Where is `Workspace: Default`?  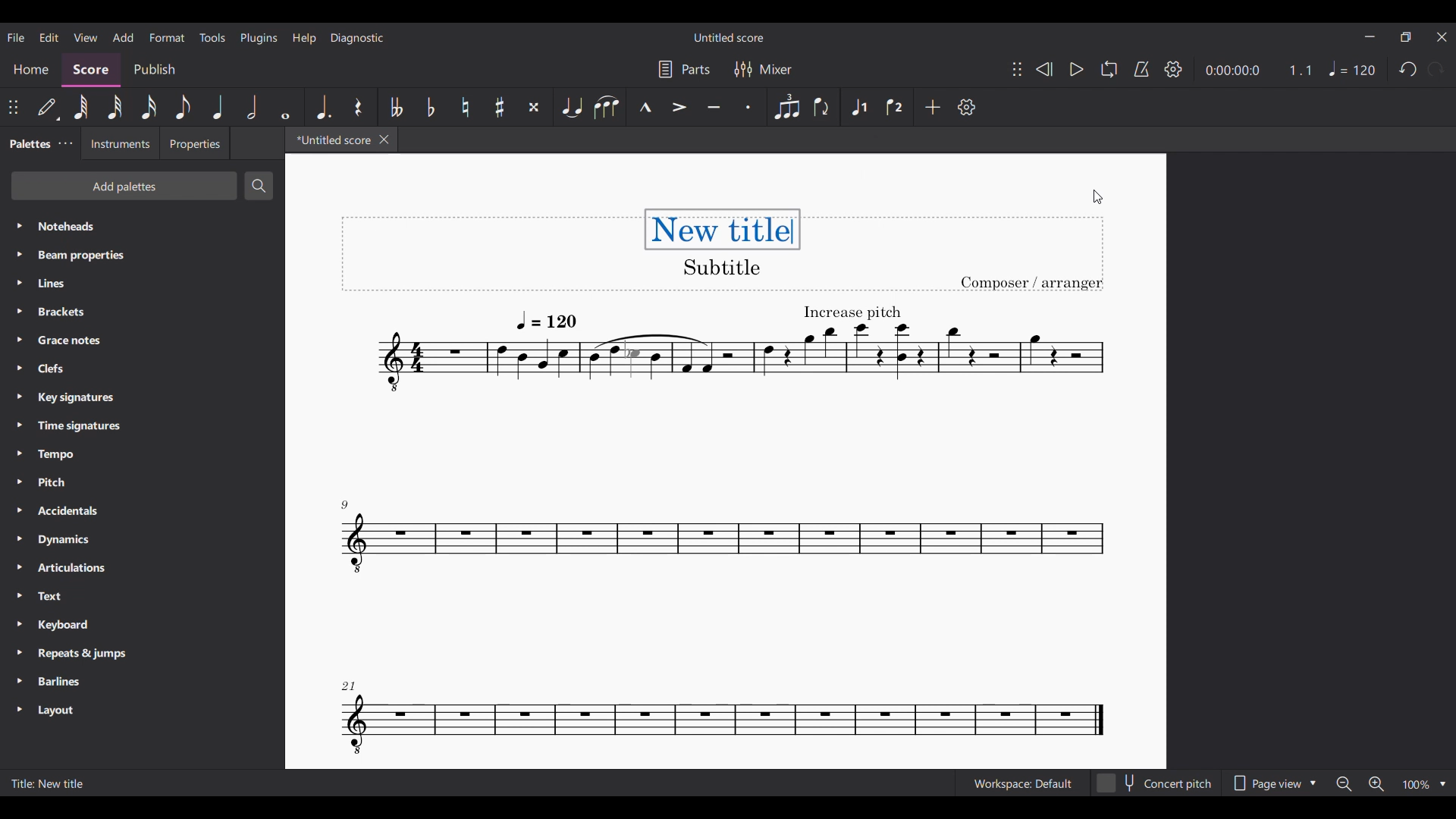
Workspace: Default is located at coordinates (1023, 783).